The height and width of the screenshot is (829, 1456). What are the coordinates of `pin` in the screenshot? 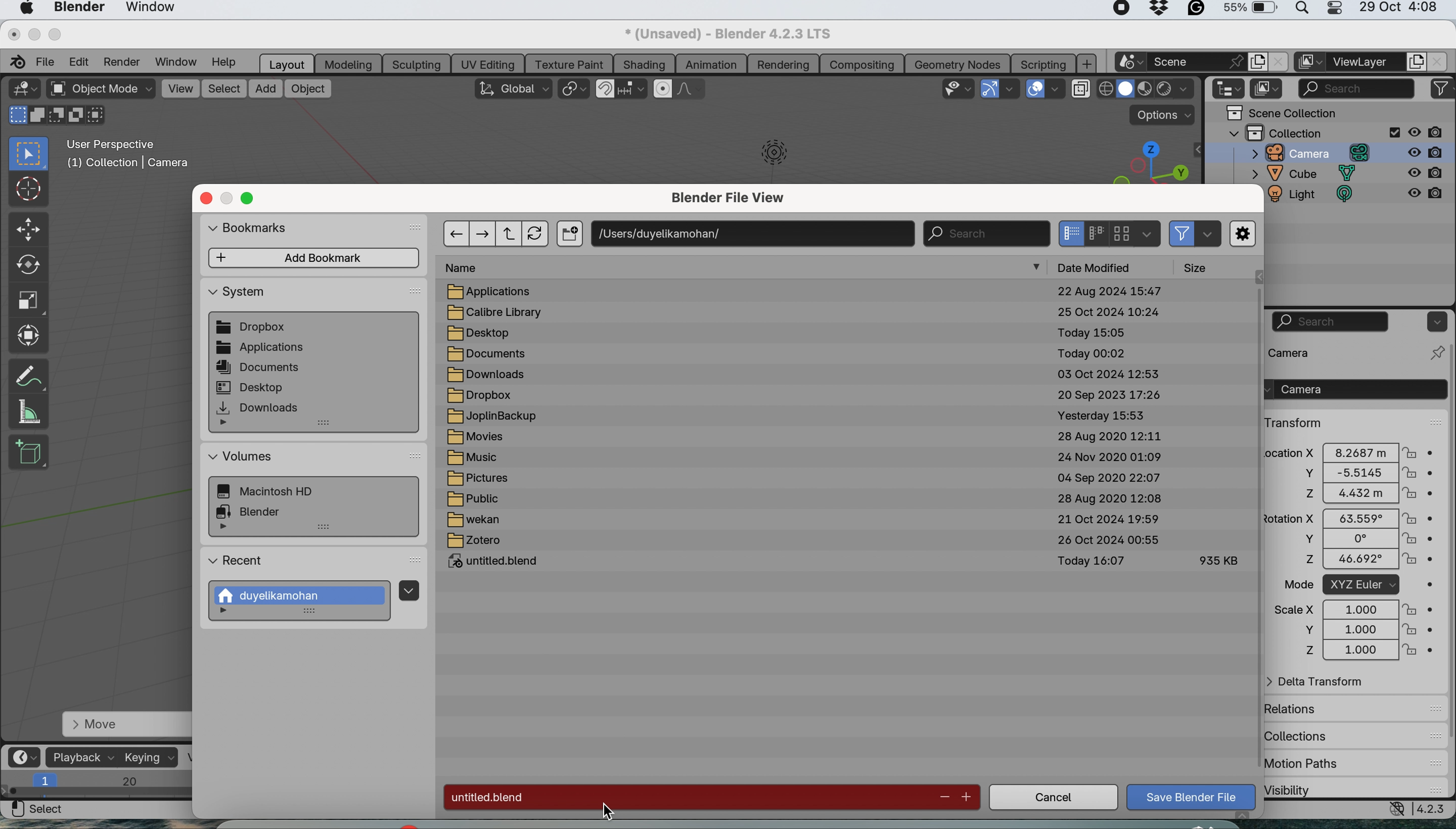 It's located at (1435, 352).